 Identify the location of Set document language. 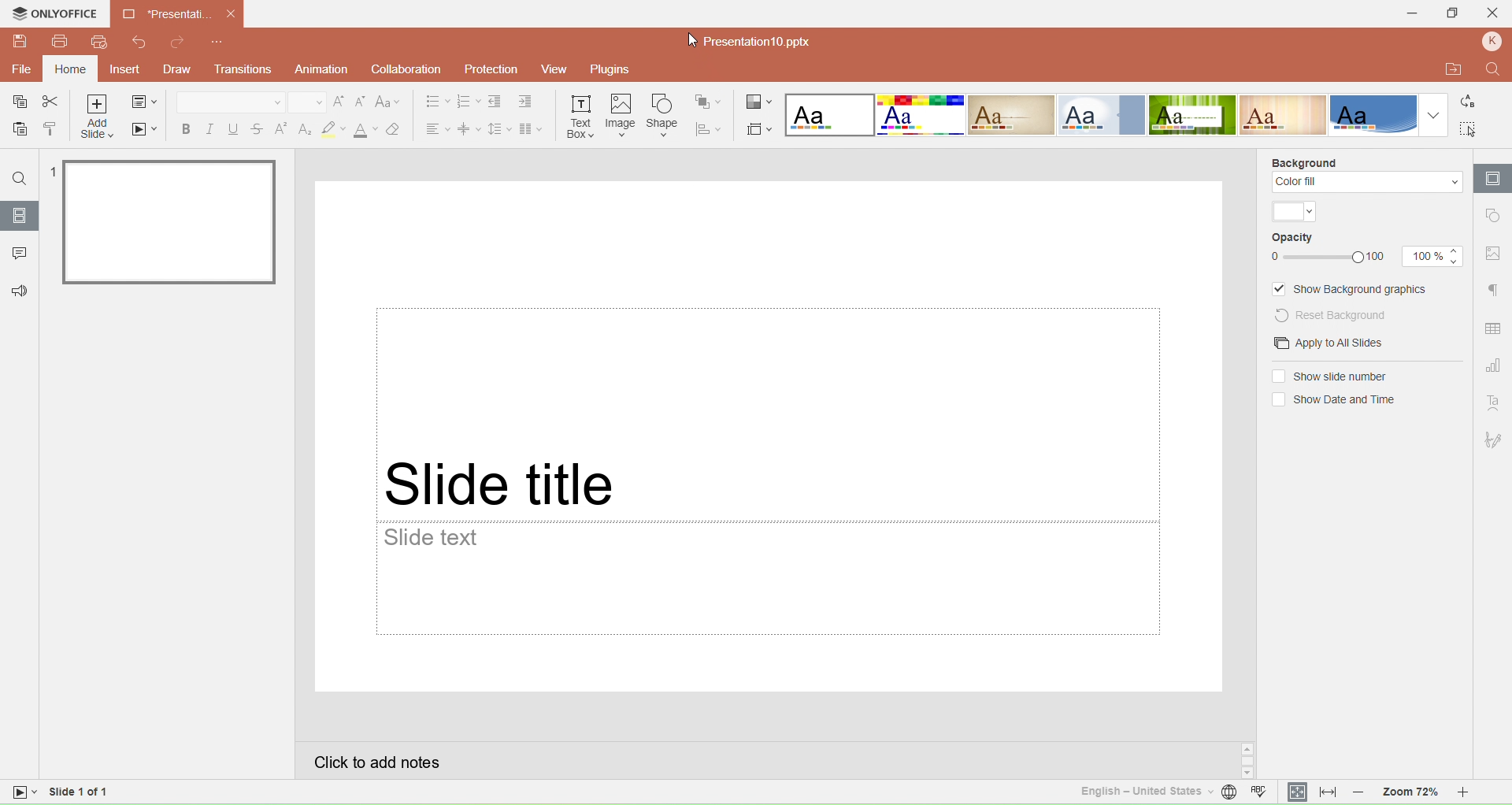
(1228, 794).